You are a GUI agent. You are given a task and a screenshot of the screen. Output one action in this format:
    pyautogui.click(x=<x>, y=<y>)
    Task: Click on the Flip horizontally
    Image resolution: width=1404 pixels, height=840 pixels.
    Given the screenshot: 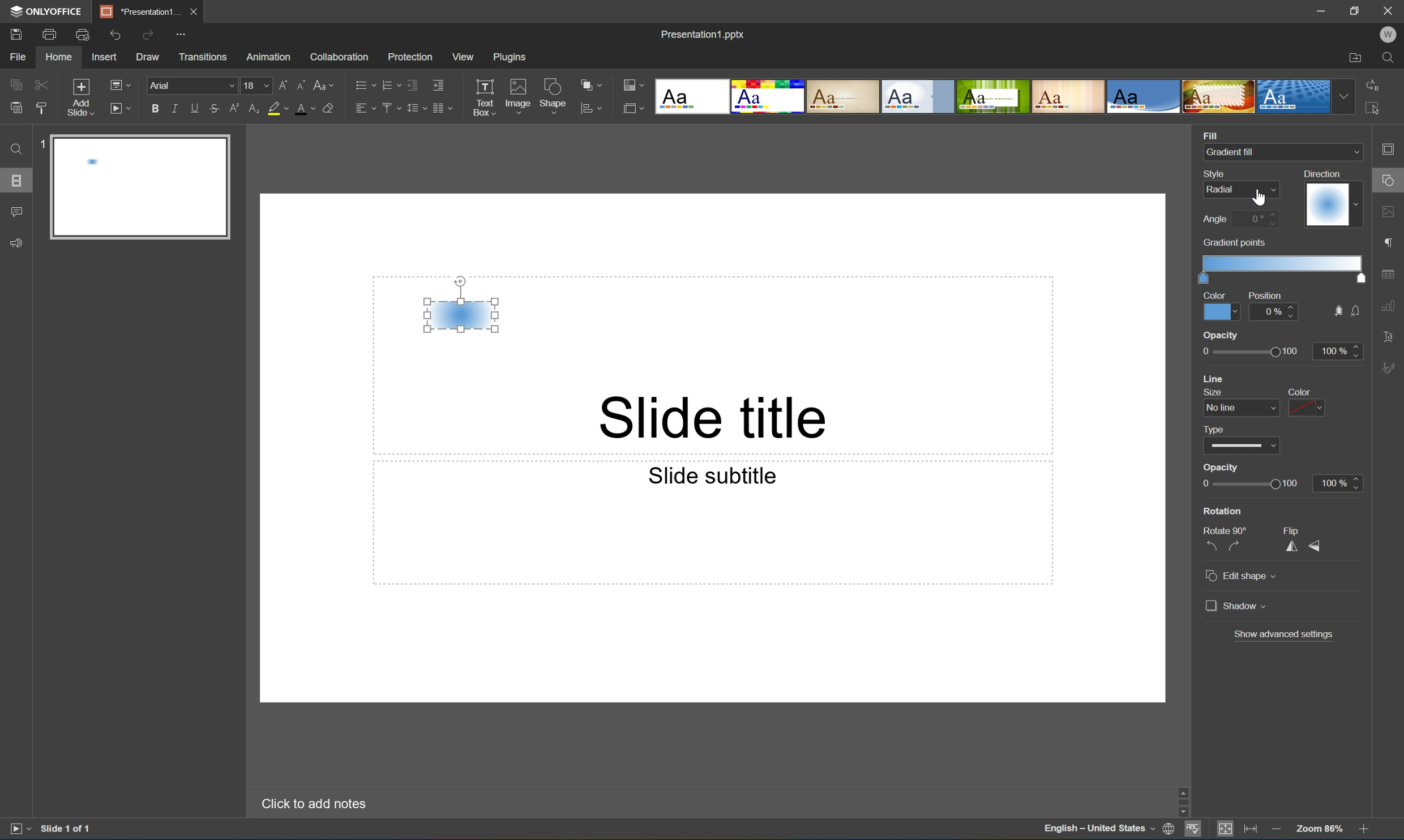 What is the action you would take?
    pyautogui.click(x=1292, y=548)
    